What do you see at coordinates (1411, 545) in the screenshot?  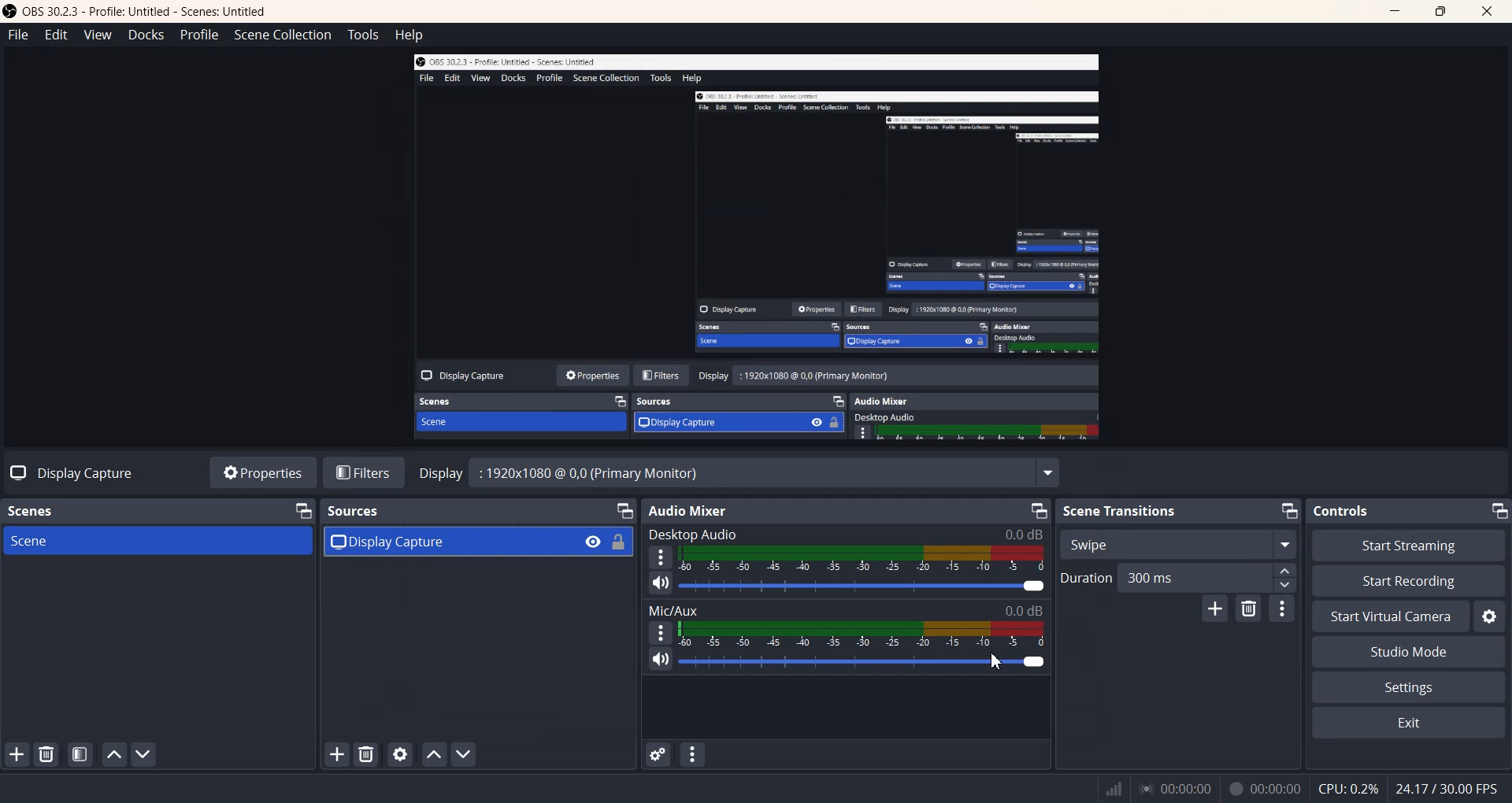 I see `Start Streaming` at bounding box center [1411, 545].